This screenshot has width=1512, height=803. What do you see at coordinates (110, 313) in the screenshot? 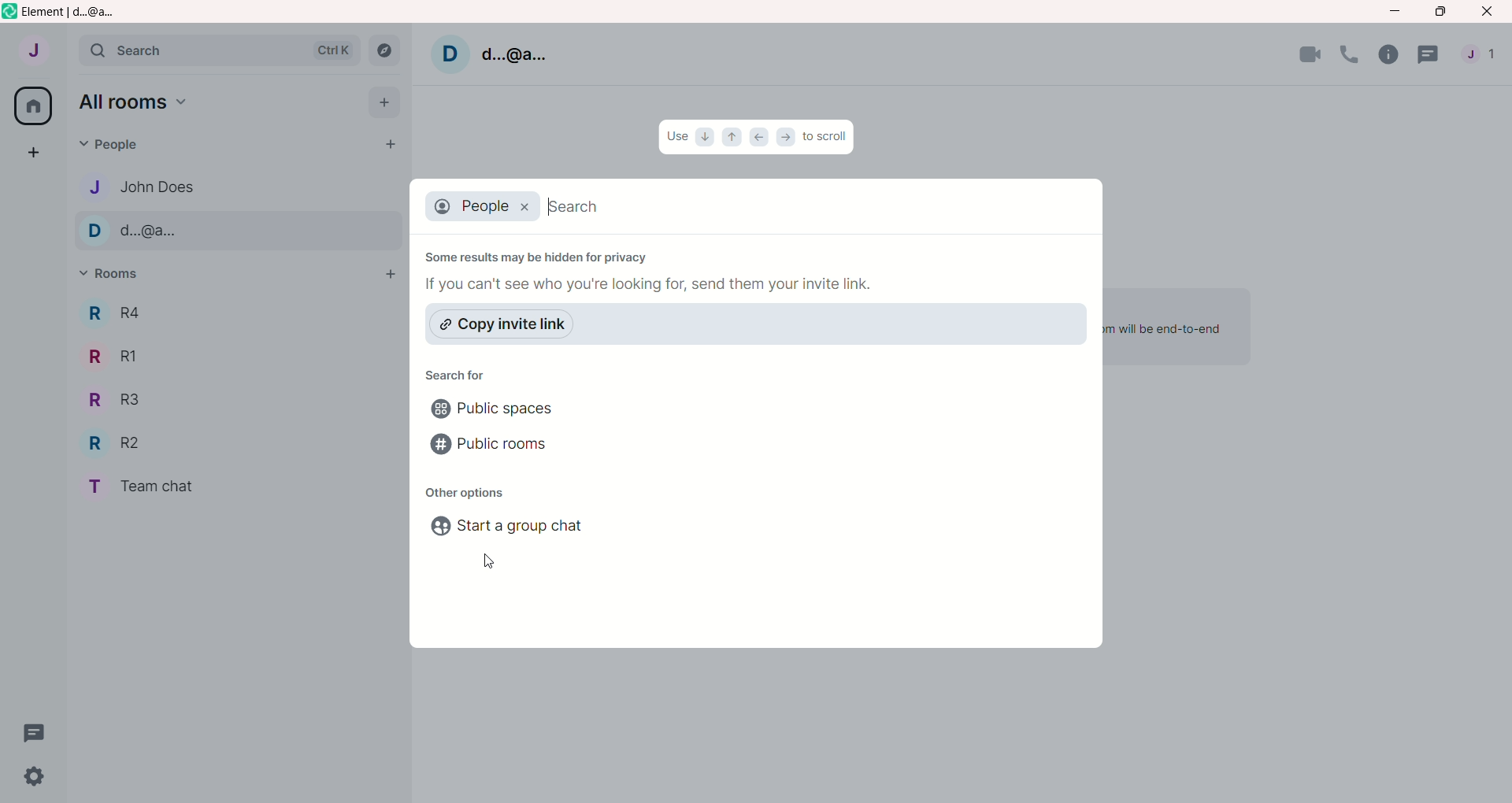
I see `R4` at bounding box center [110, 313].